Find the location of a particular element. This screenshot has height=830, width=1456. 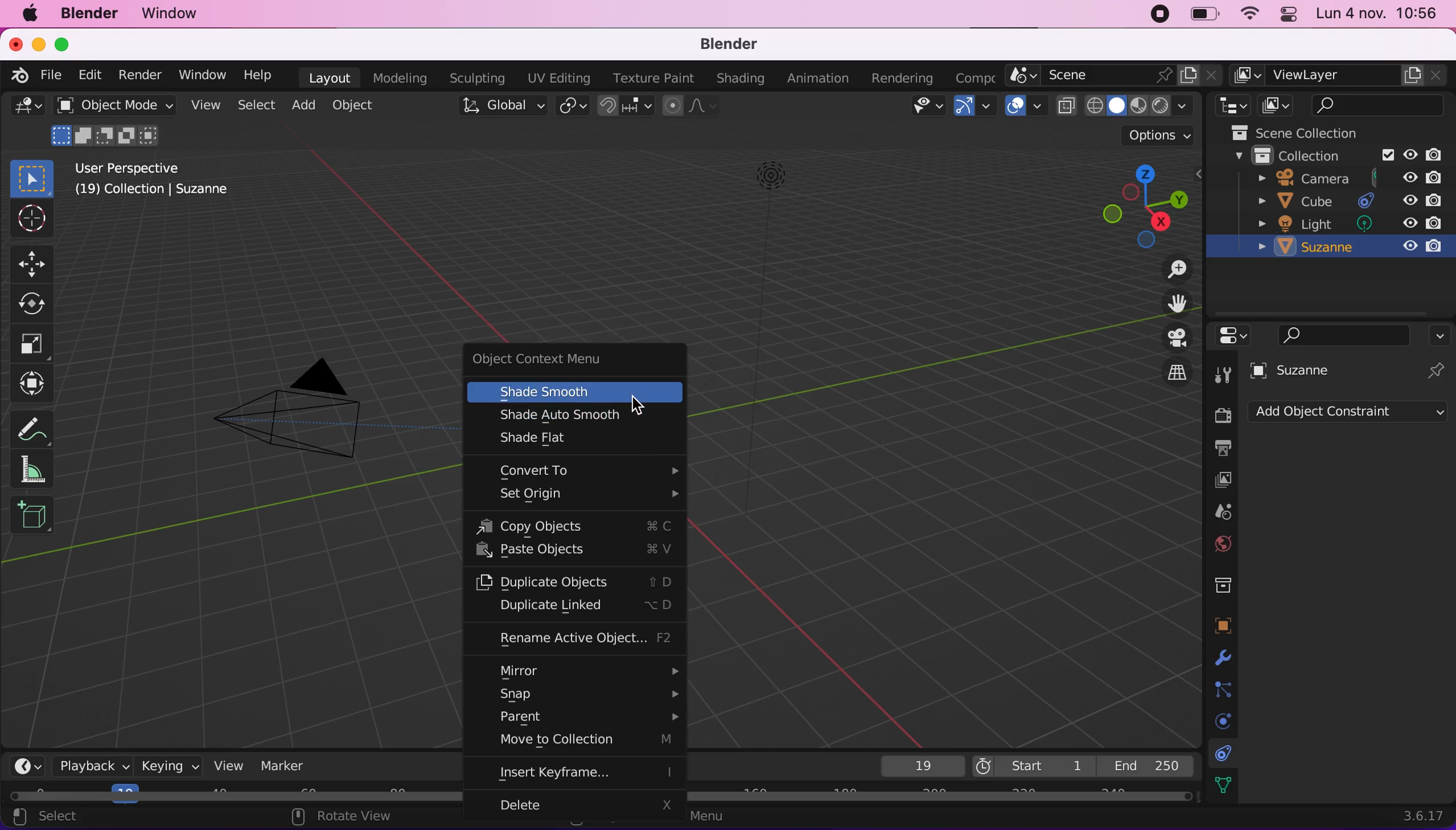

keying is located at coordinates (170, 769).